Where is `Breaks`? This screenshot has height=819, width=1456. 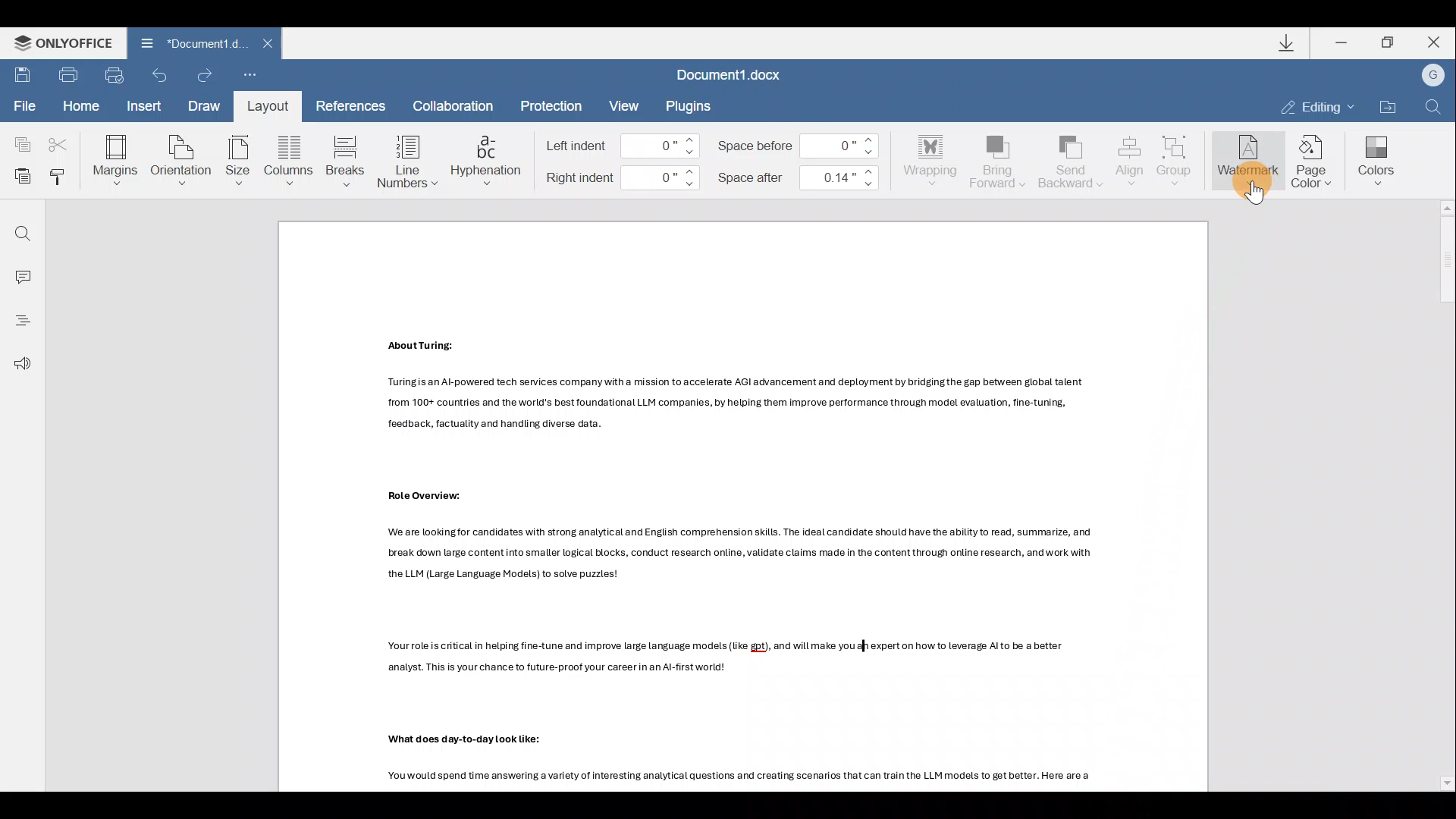 Breaks is located at coordinates (346, 157).